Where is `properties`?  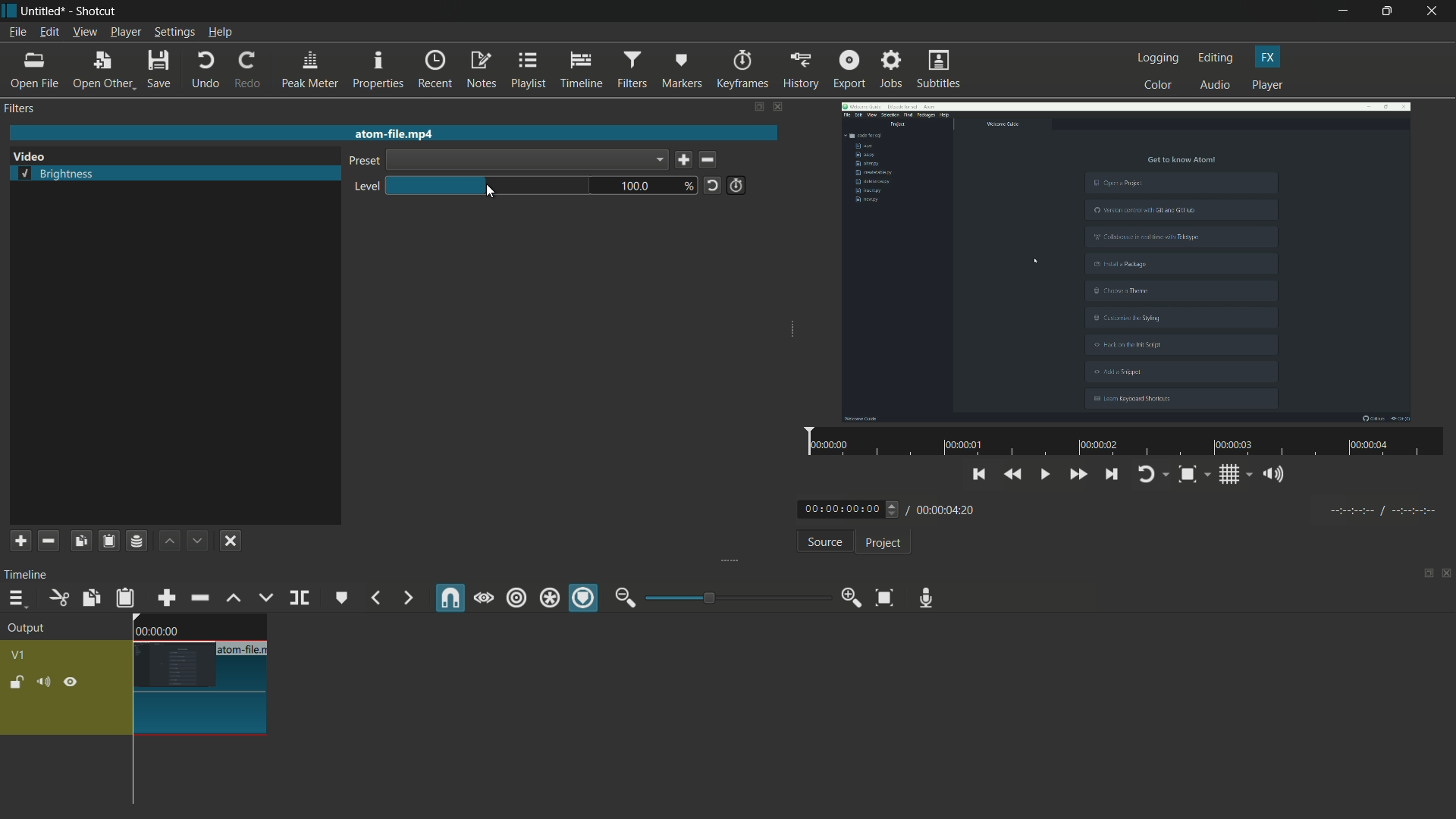 properties is located at coordinates (378, 71).